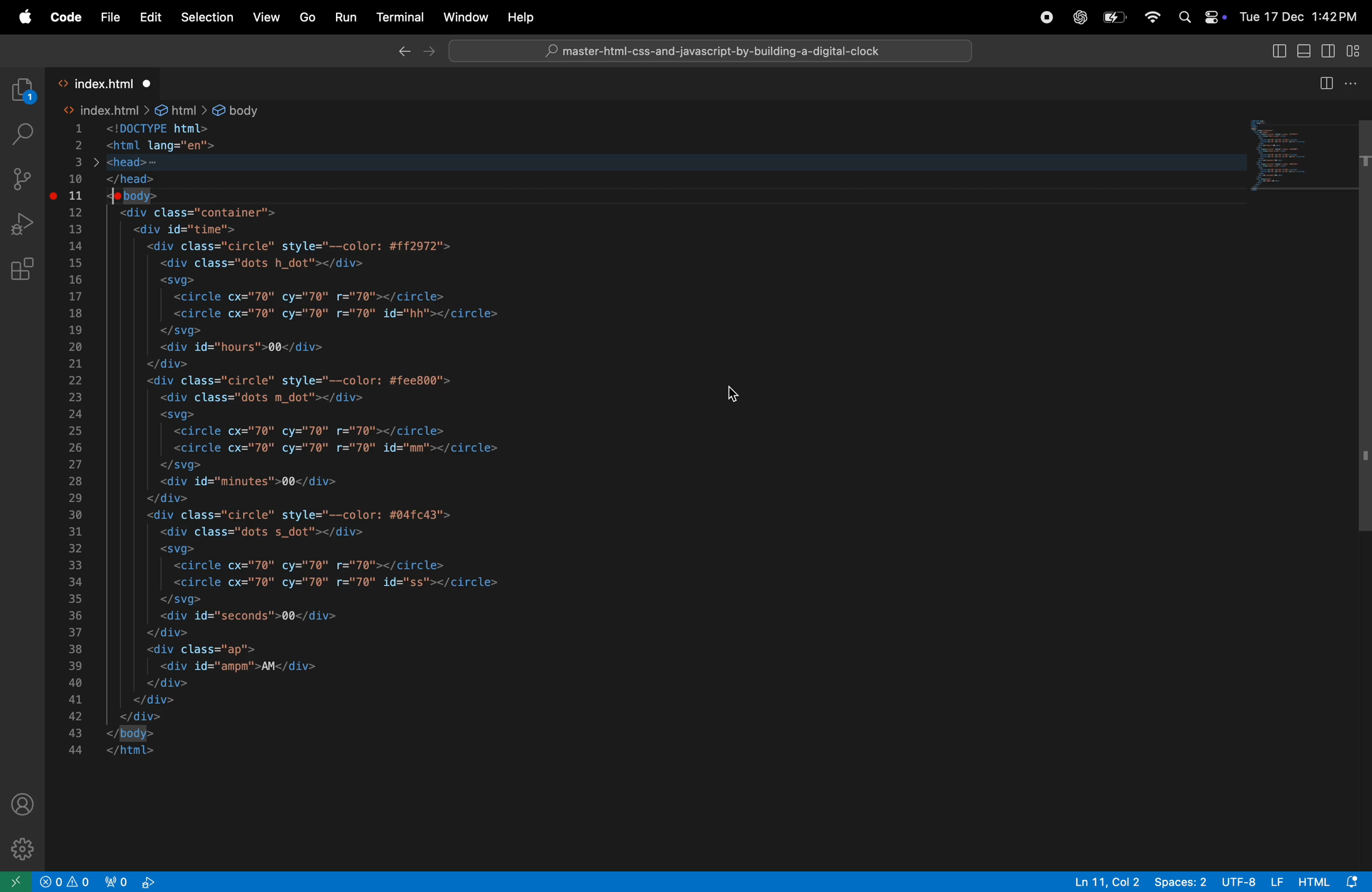 Image resolution: width=1372 pixels, height=892 pixels. I want to click on profile, so click(24, 803).